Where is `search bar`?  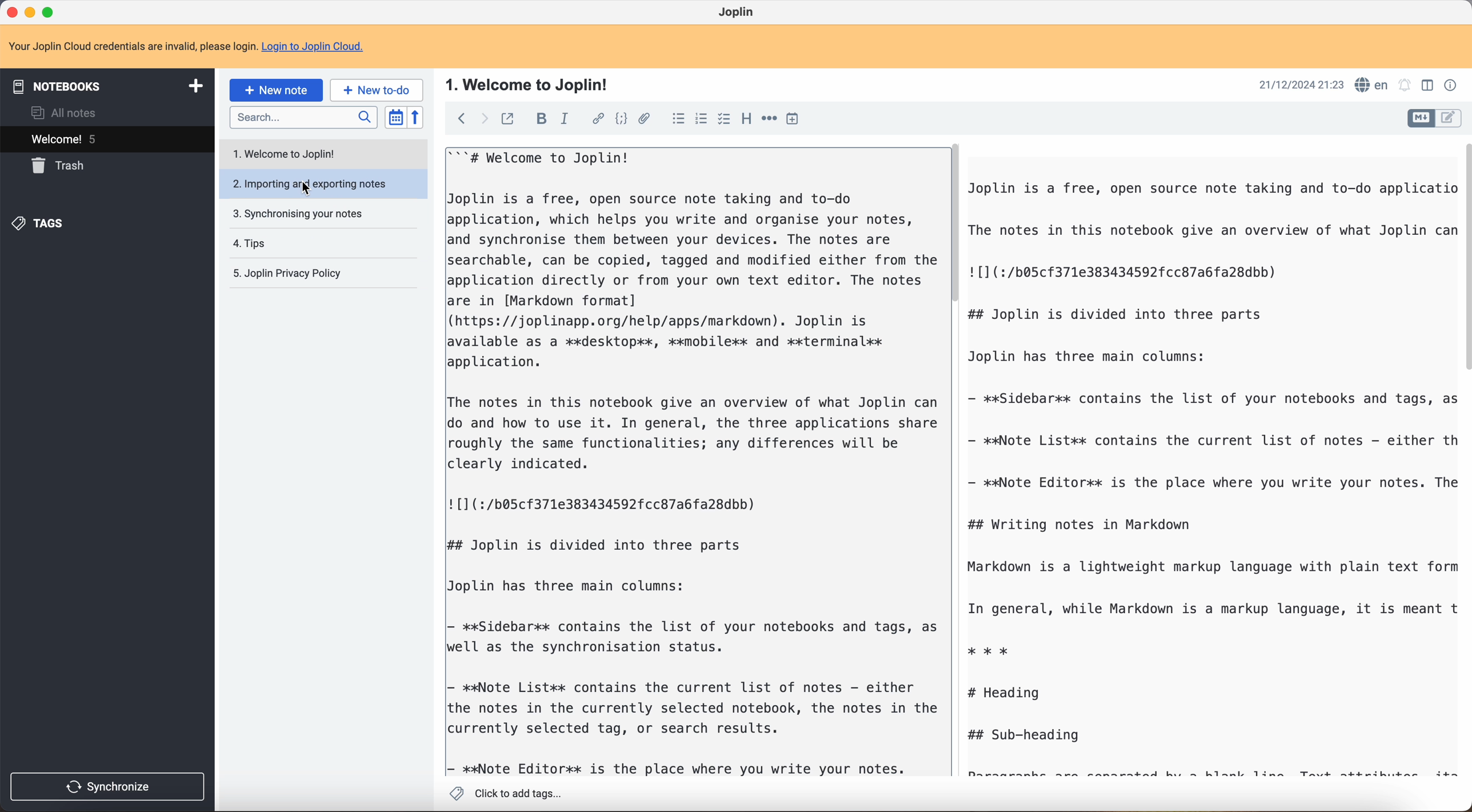
search bar is located at coordinates (303, 117).